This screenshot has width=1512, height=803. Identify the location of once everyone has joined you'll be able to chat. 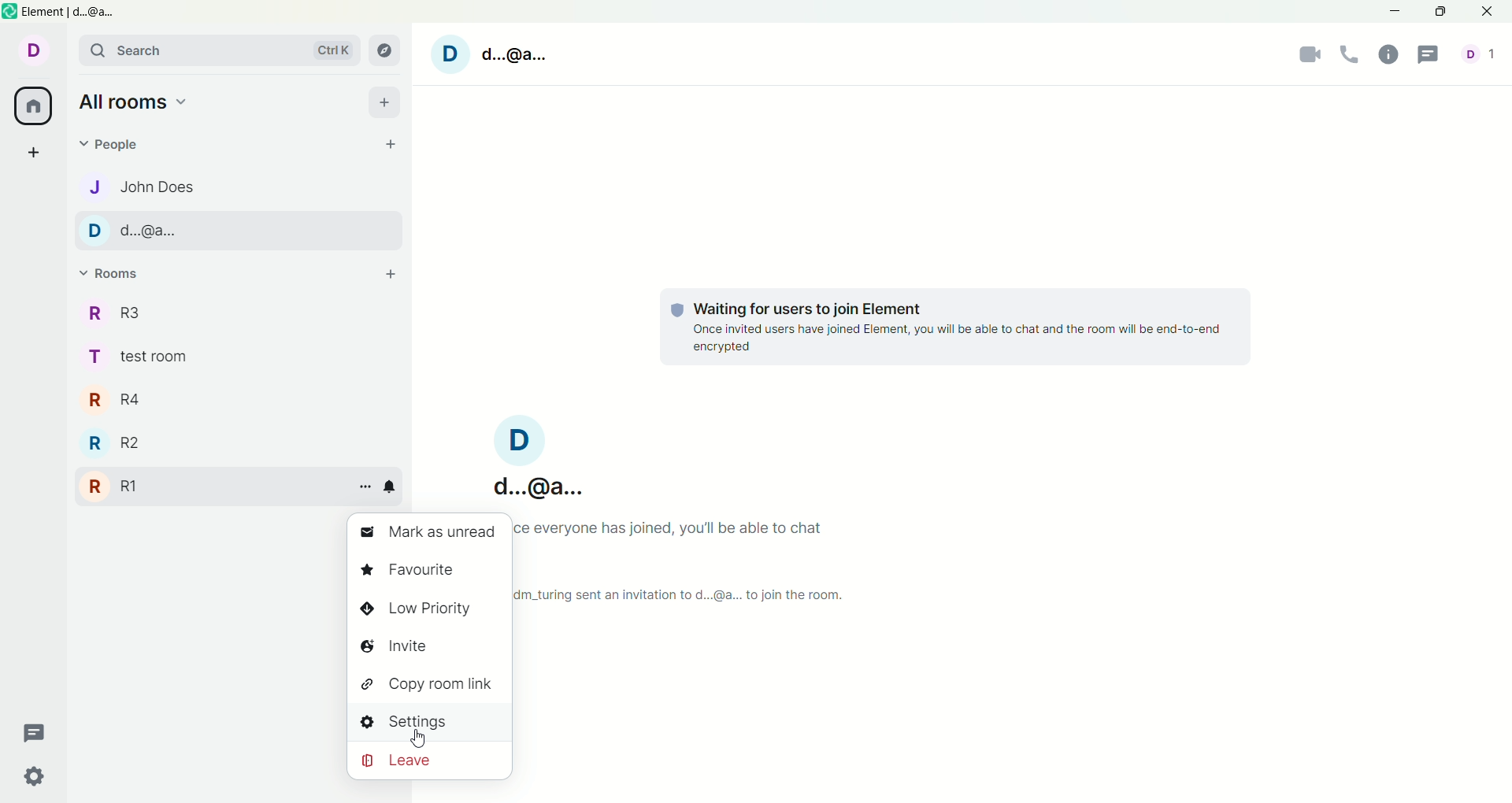
(679, 533).